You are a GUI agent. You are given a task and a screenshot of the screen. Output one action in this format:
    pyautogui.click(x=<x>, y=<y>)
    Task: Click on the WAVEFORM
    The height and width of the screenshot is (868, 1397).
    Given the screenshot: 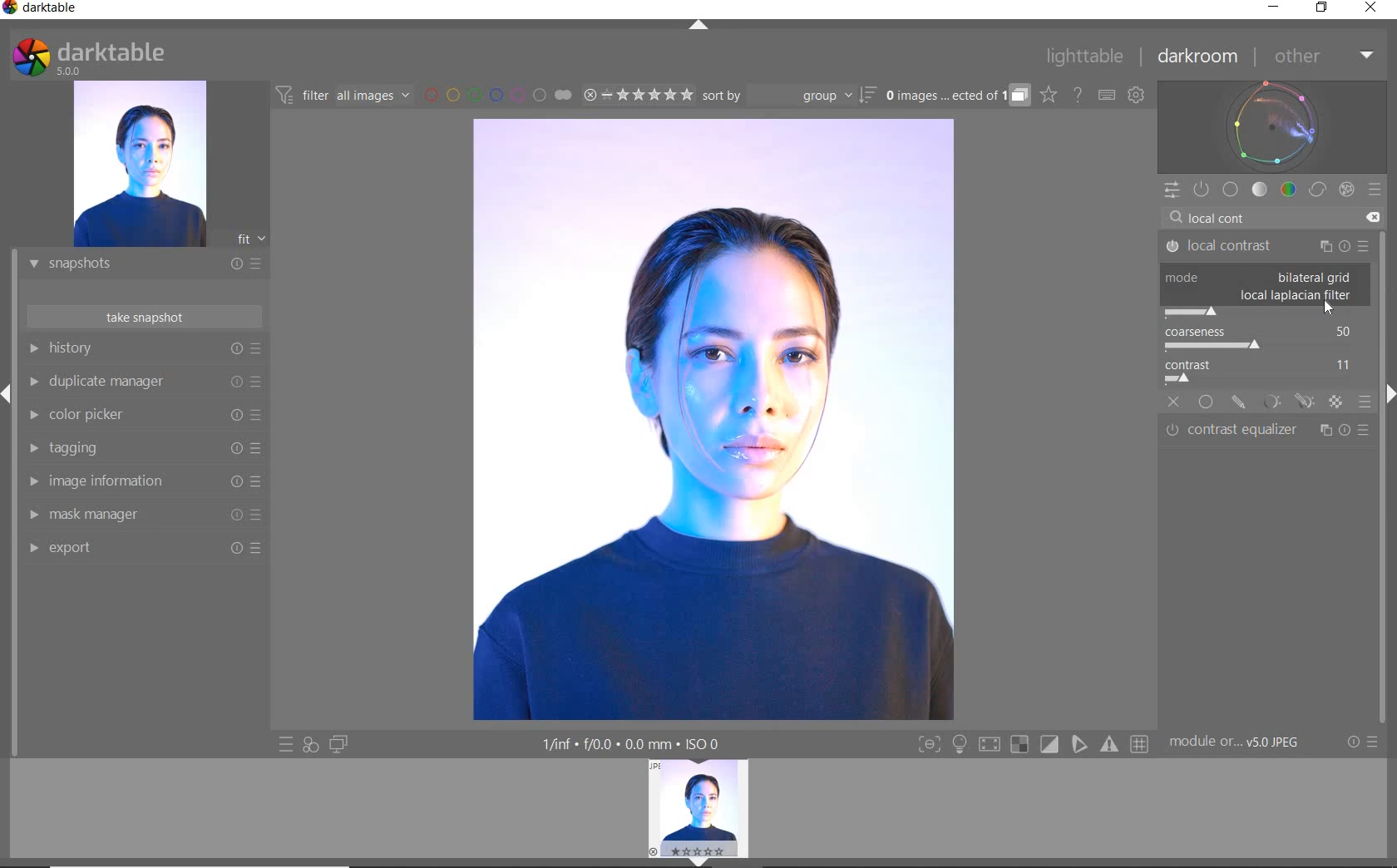 What is the action you would take?
    pyautogui.click(x=1272, y=126)
    